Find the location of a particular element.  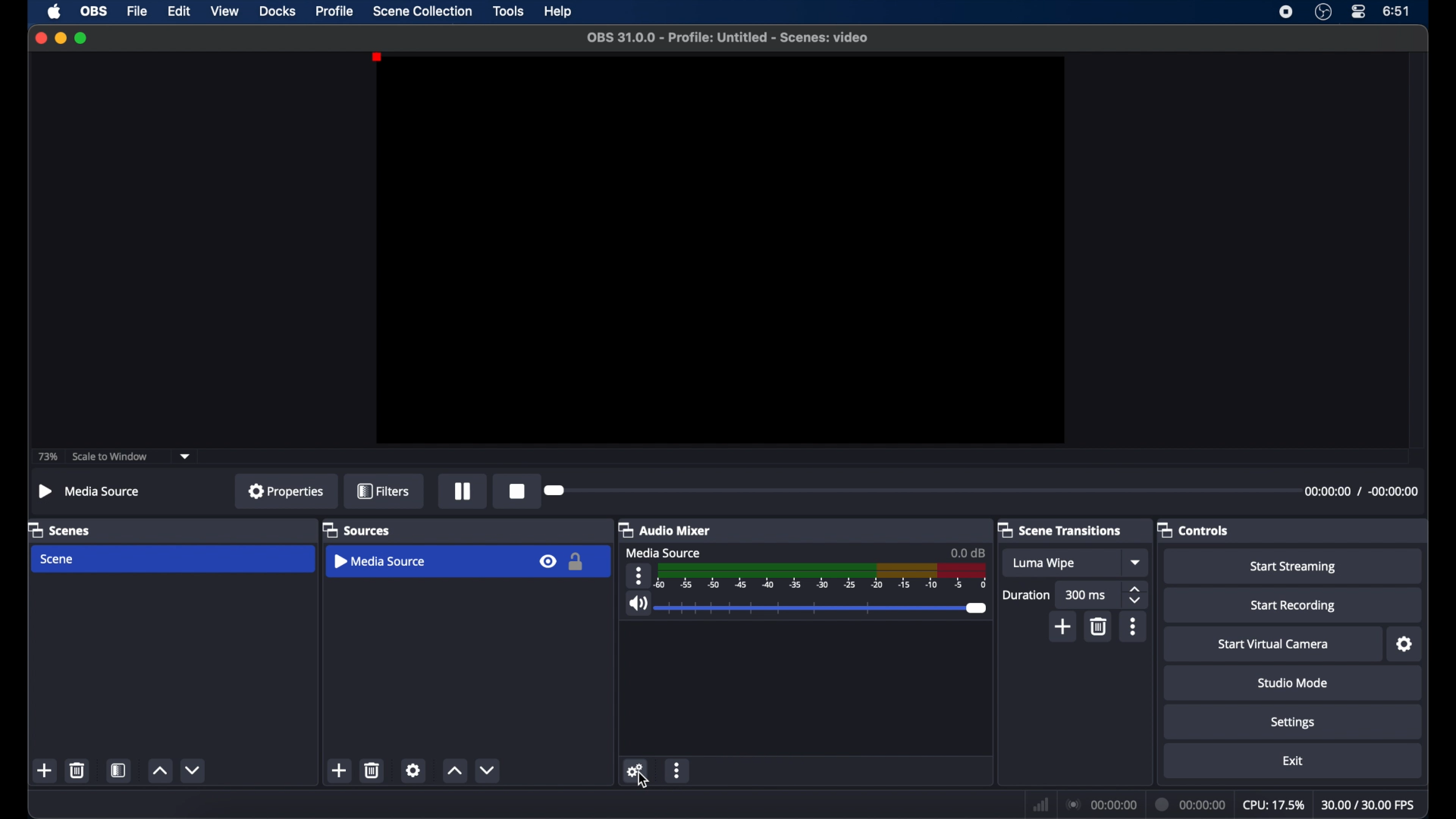

sources is located at coordinates (356, 530).